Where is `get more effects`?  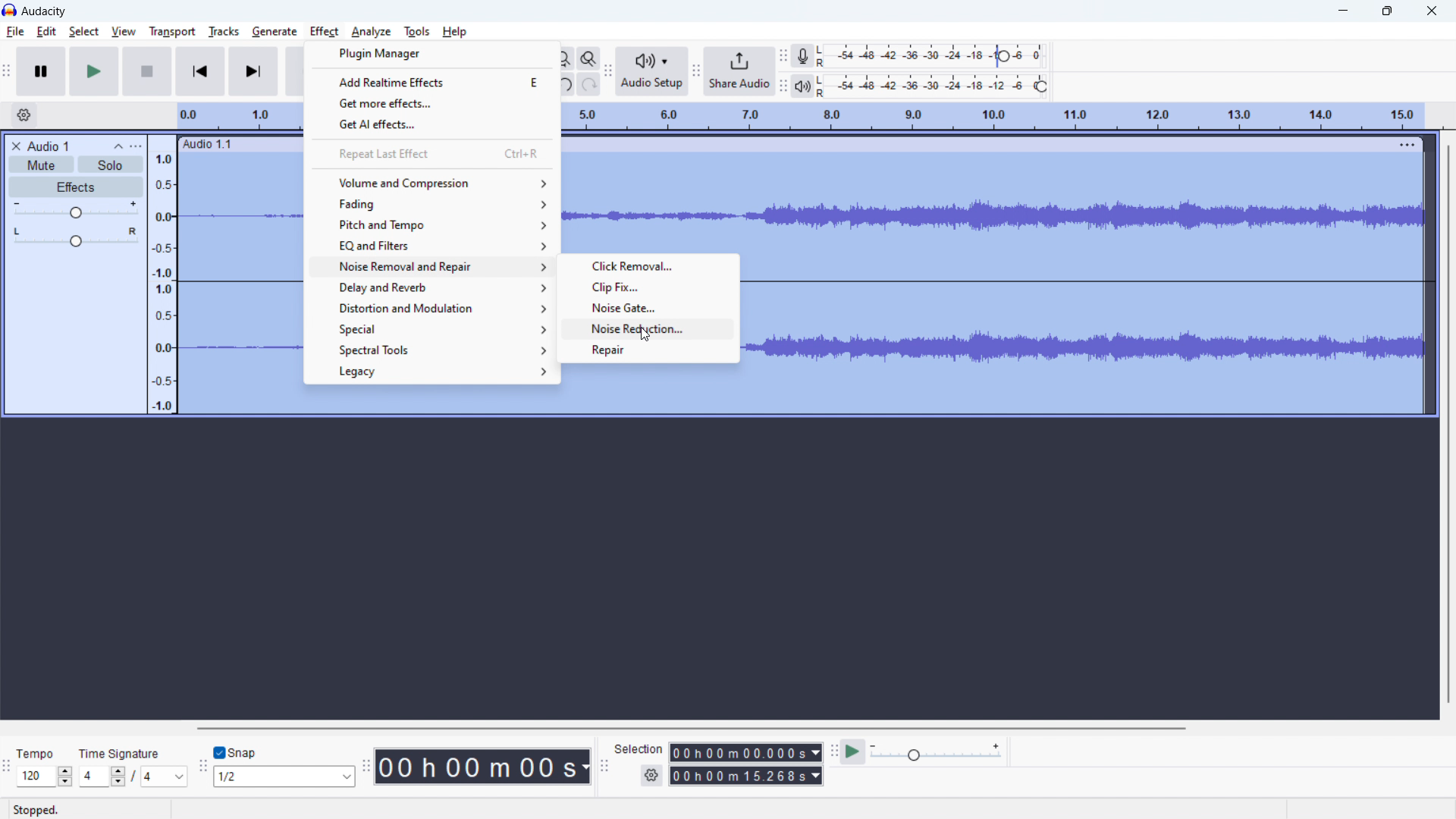
get more effects is located at coordinates (431, 102).